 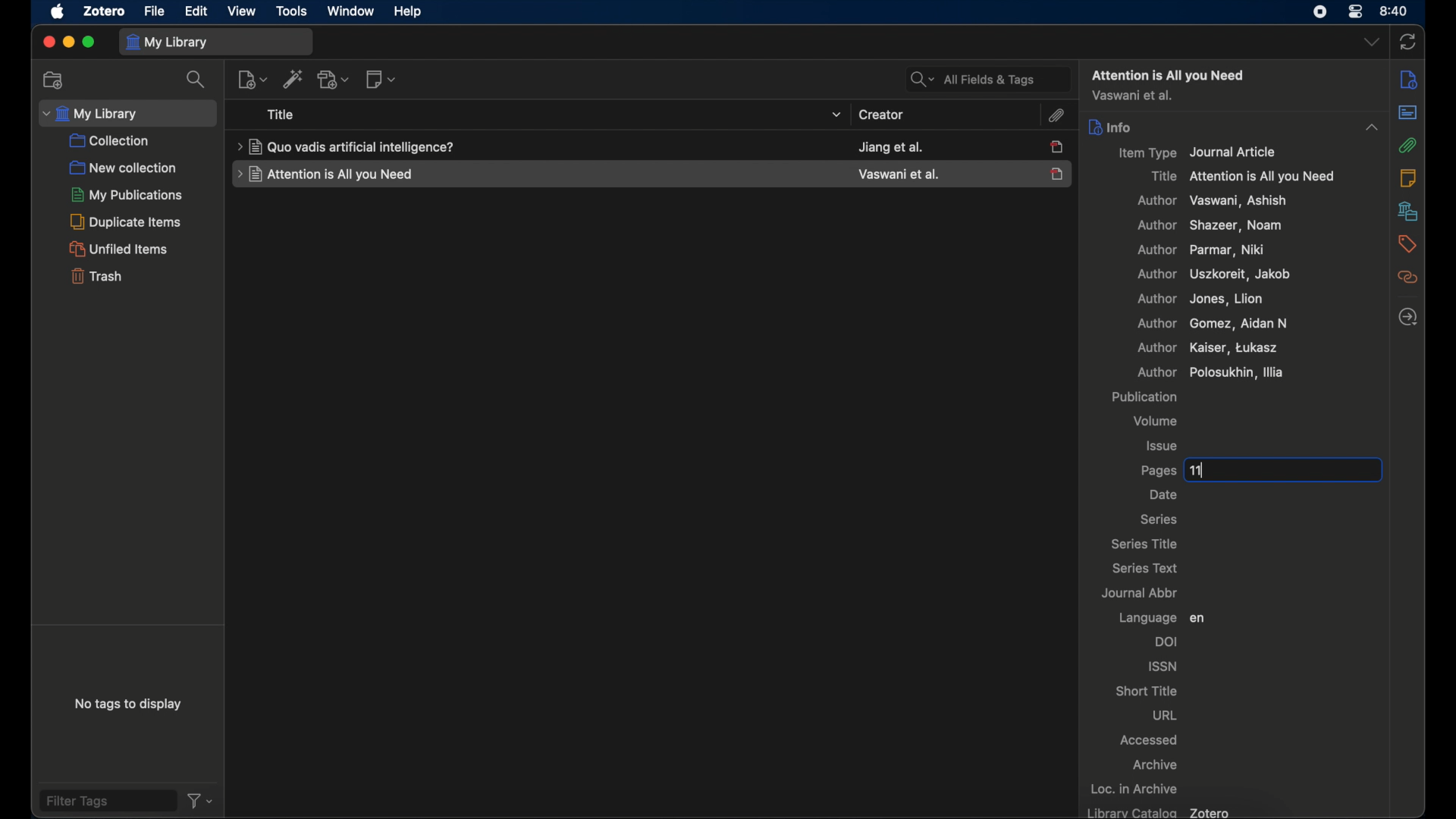 What do you see at coordinates (1202, 300) in the screenshot?
I see `author jones, lion` at bounding box center [1202, 300].